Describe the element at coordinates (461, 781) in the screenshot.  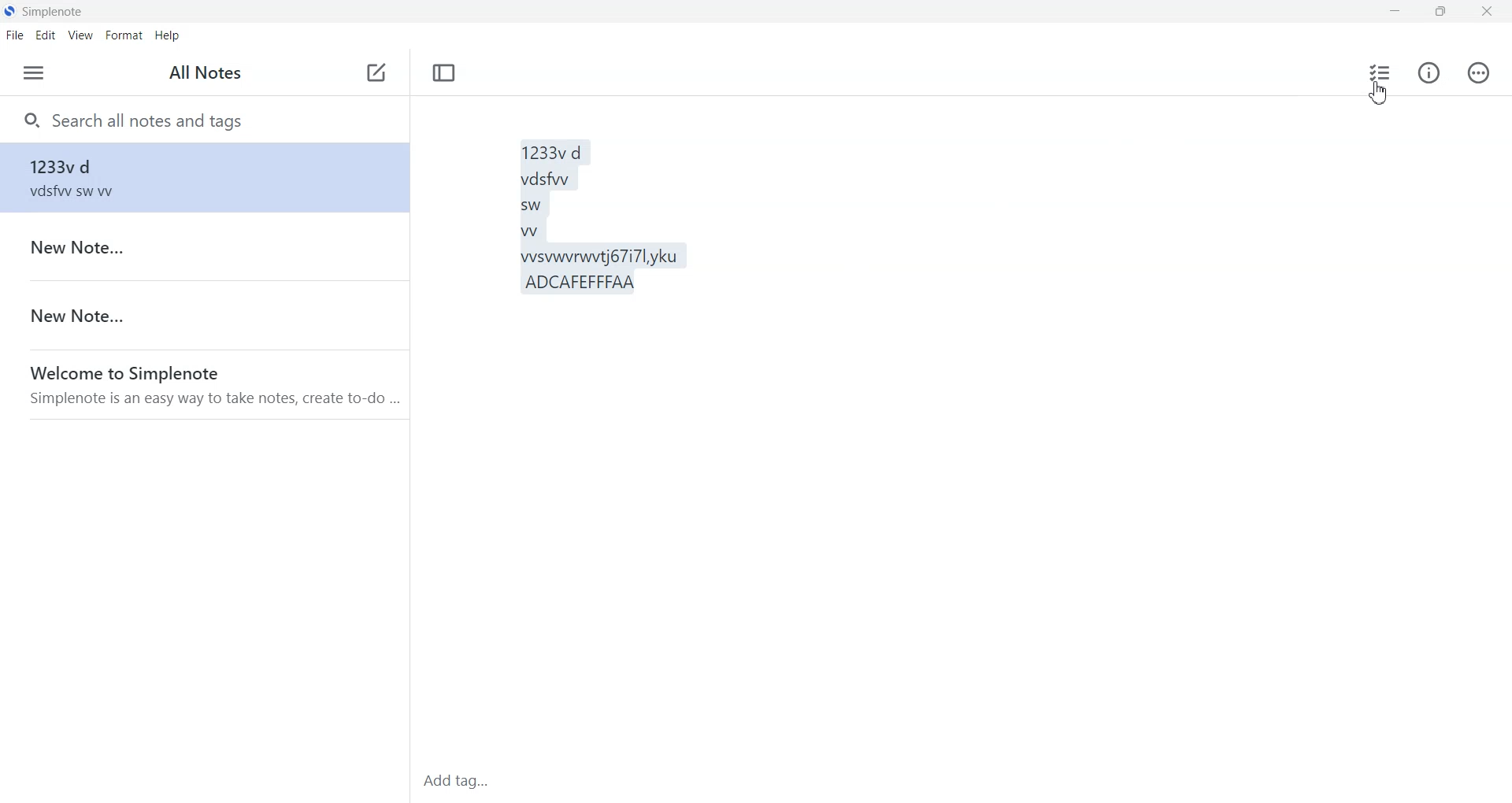
I see `Add tag` at that location.